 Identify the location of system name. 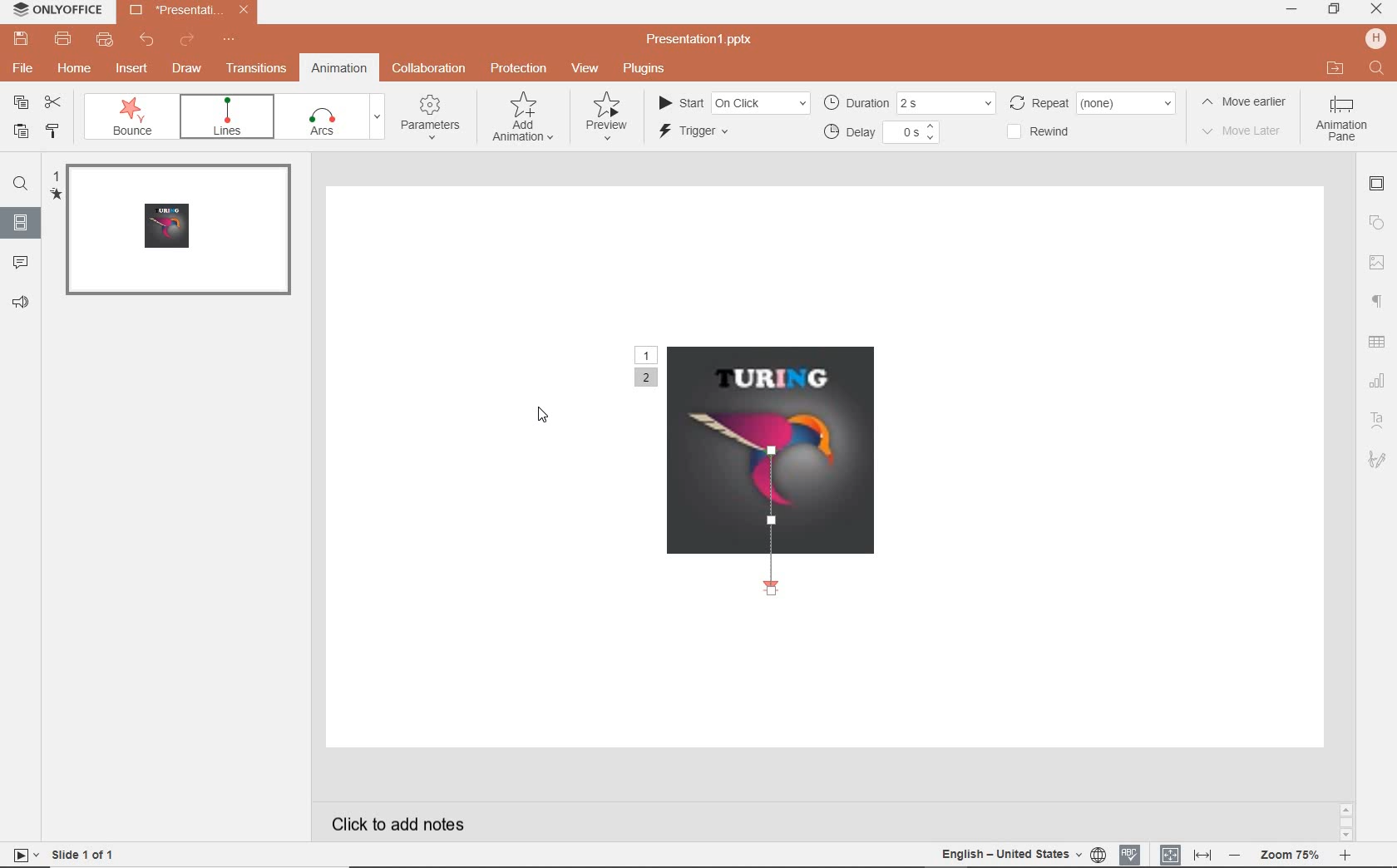
(62, 10).